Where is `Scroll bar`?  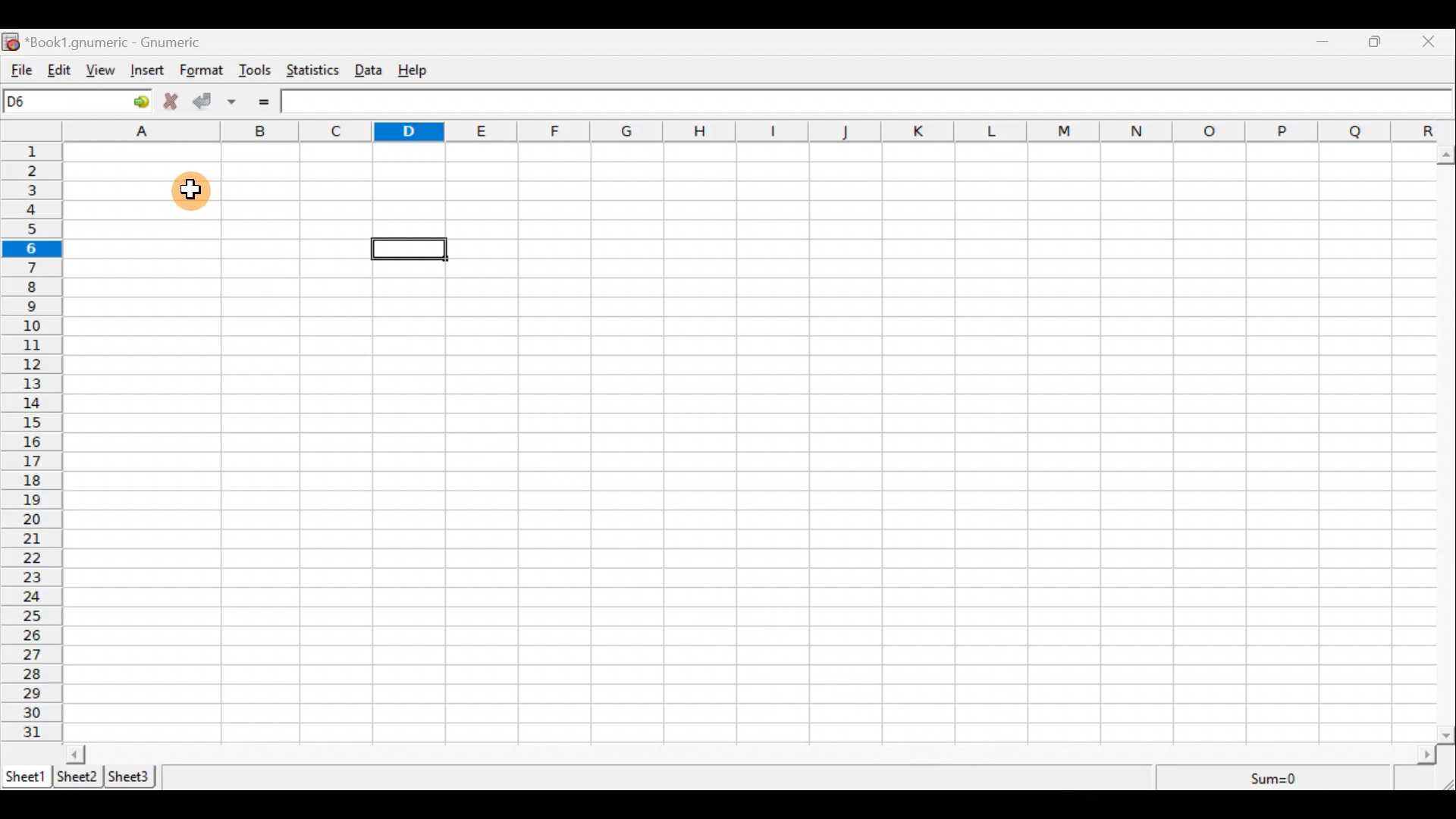 Scroll bar is located at coordinates (752, 754).